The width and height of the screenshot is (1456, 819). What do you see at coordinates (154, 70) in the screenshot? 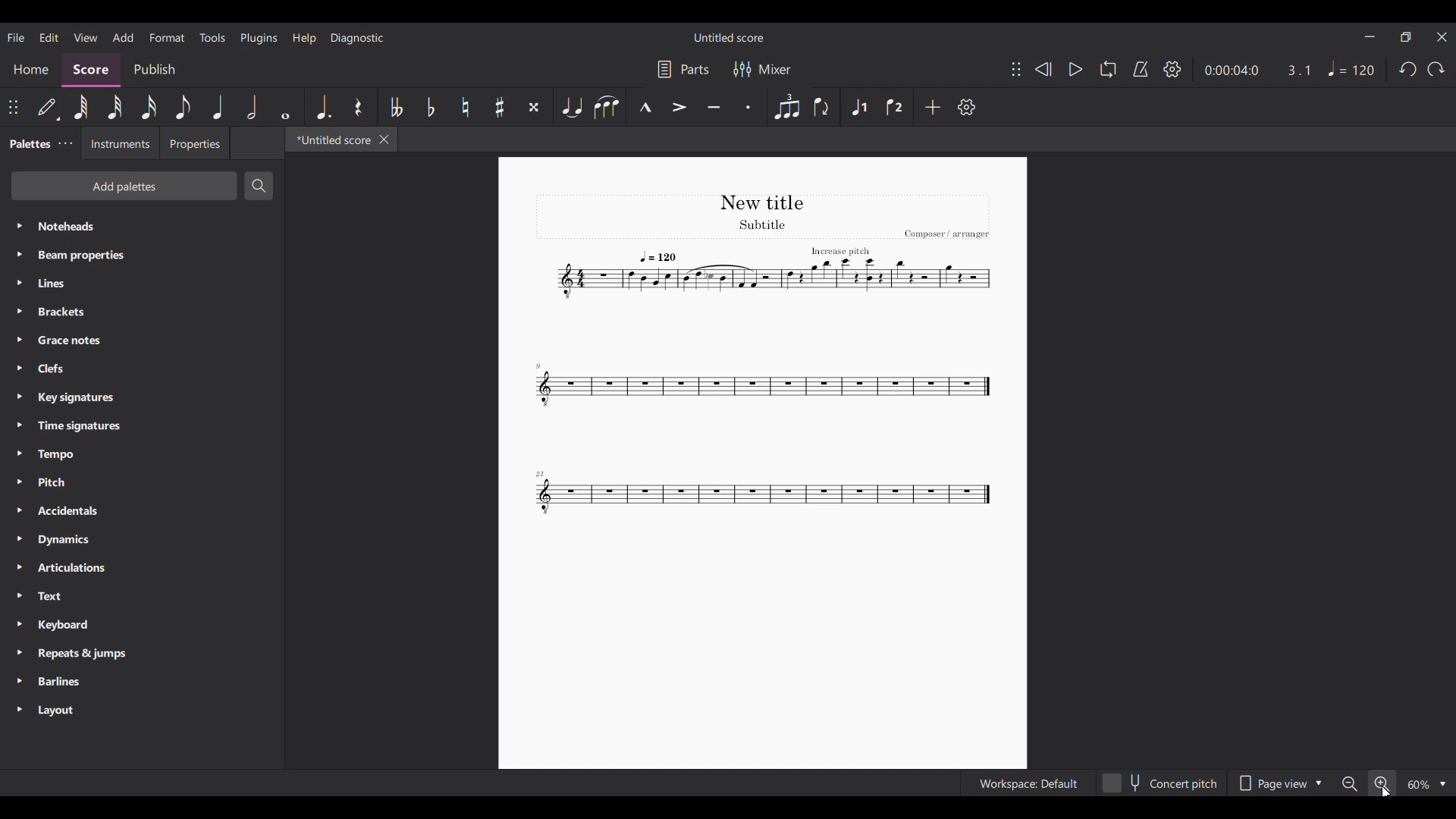
I see `Publish section` at bounding box center [154, 70].